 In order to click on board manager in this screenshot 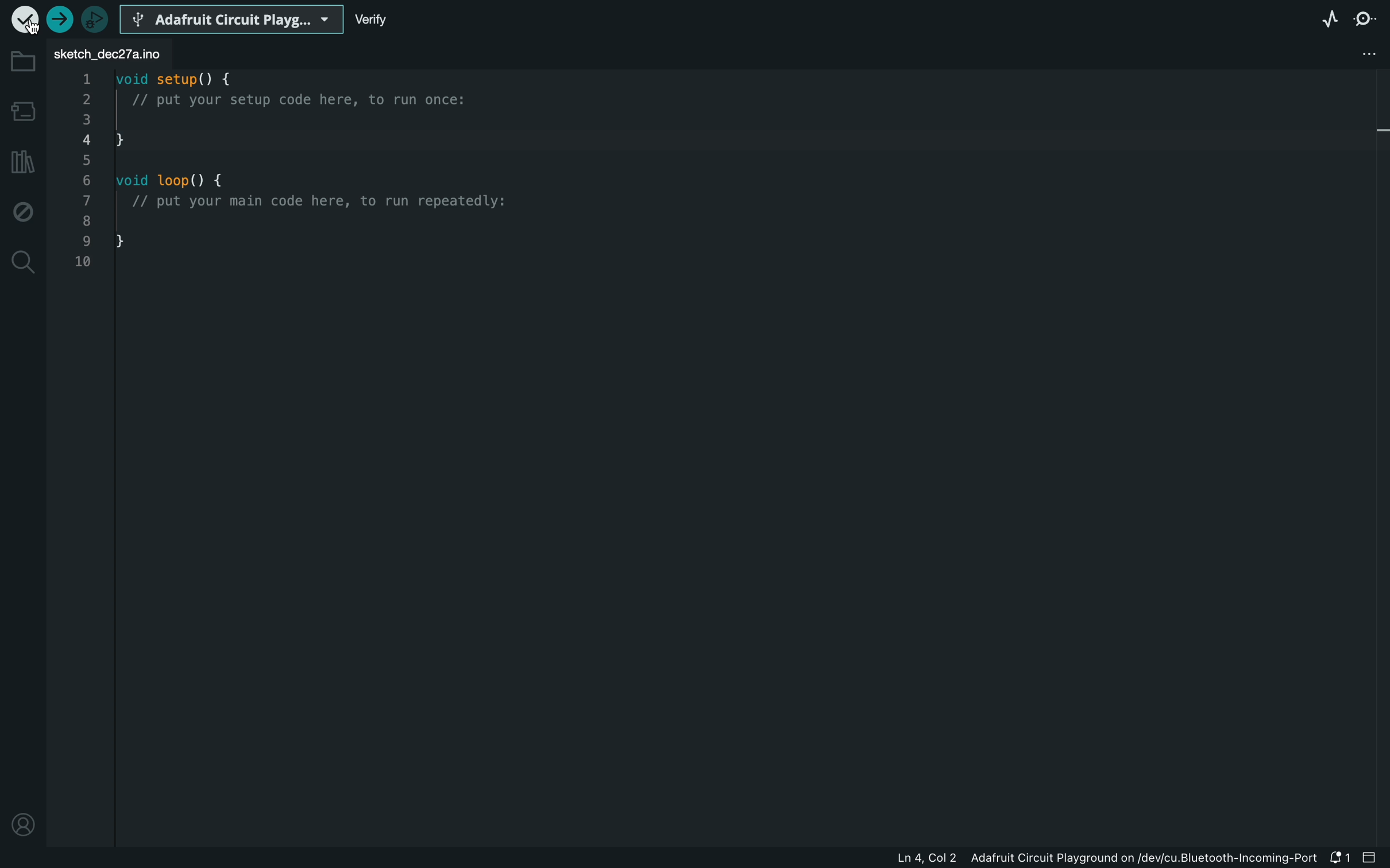, I will do `click(21, 110)`.